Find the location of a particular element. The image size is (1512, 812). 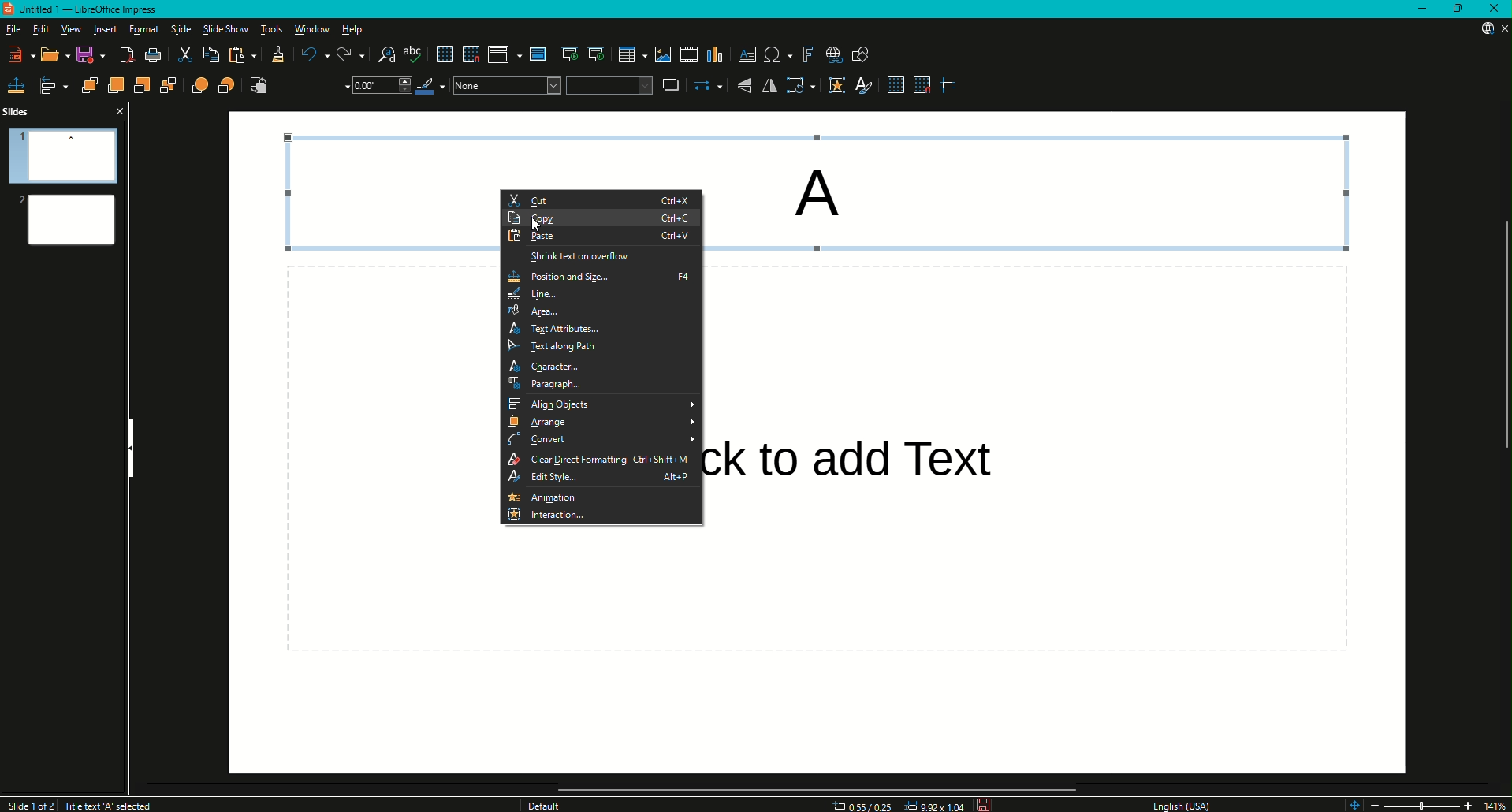

Table is located at coordinates (628, 52).